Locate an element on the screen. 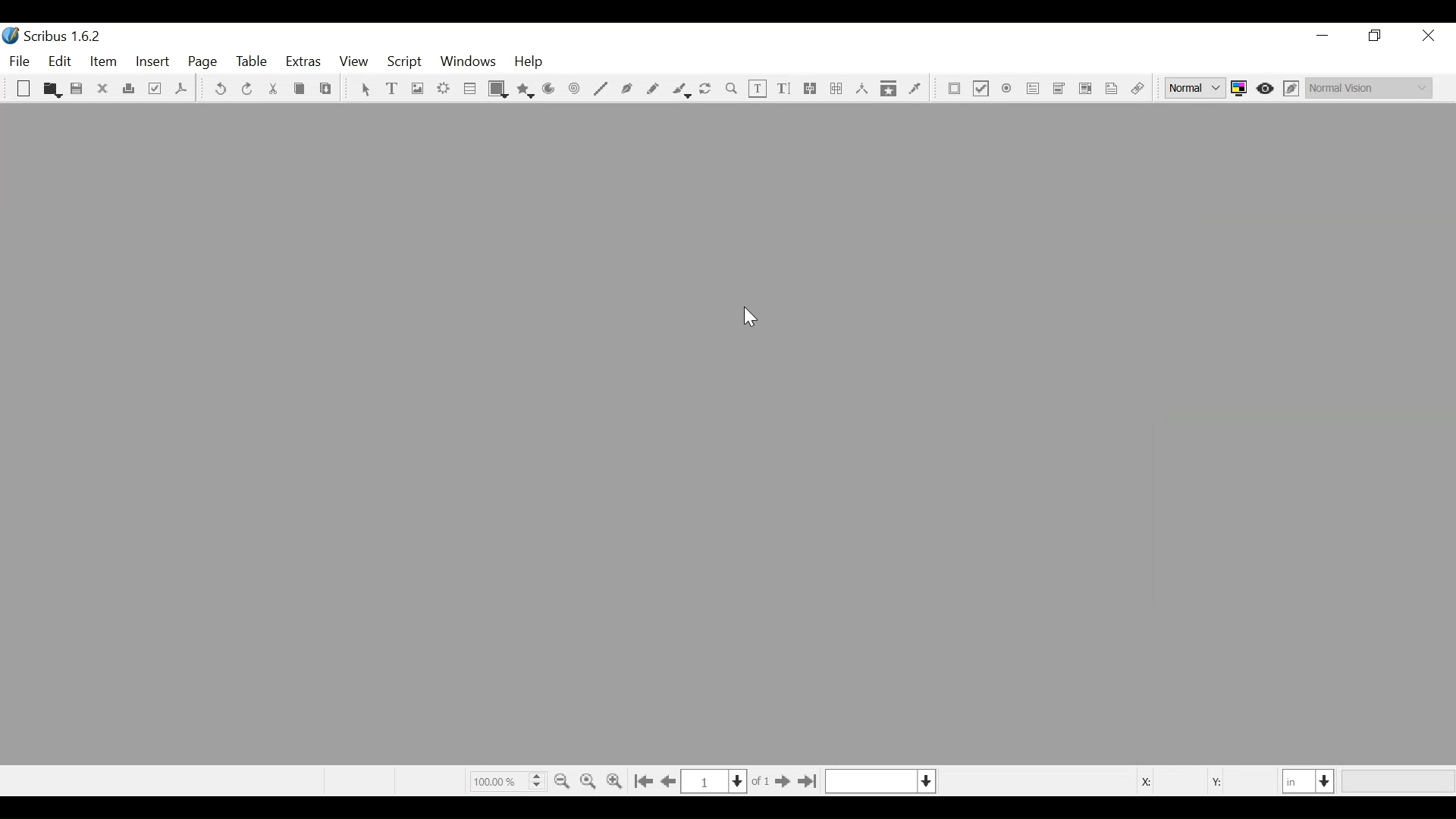 The image size is (1456, 819). Cursor is located at coordinates (745, 317).